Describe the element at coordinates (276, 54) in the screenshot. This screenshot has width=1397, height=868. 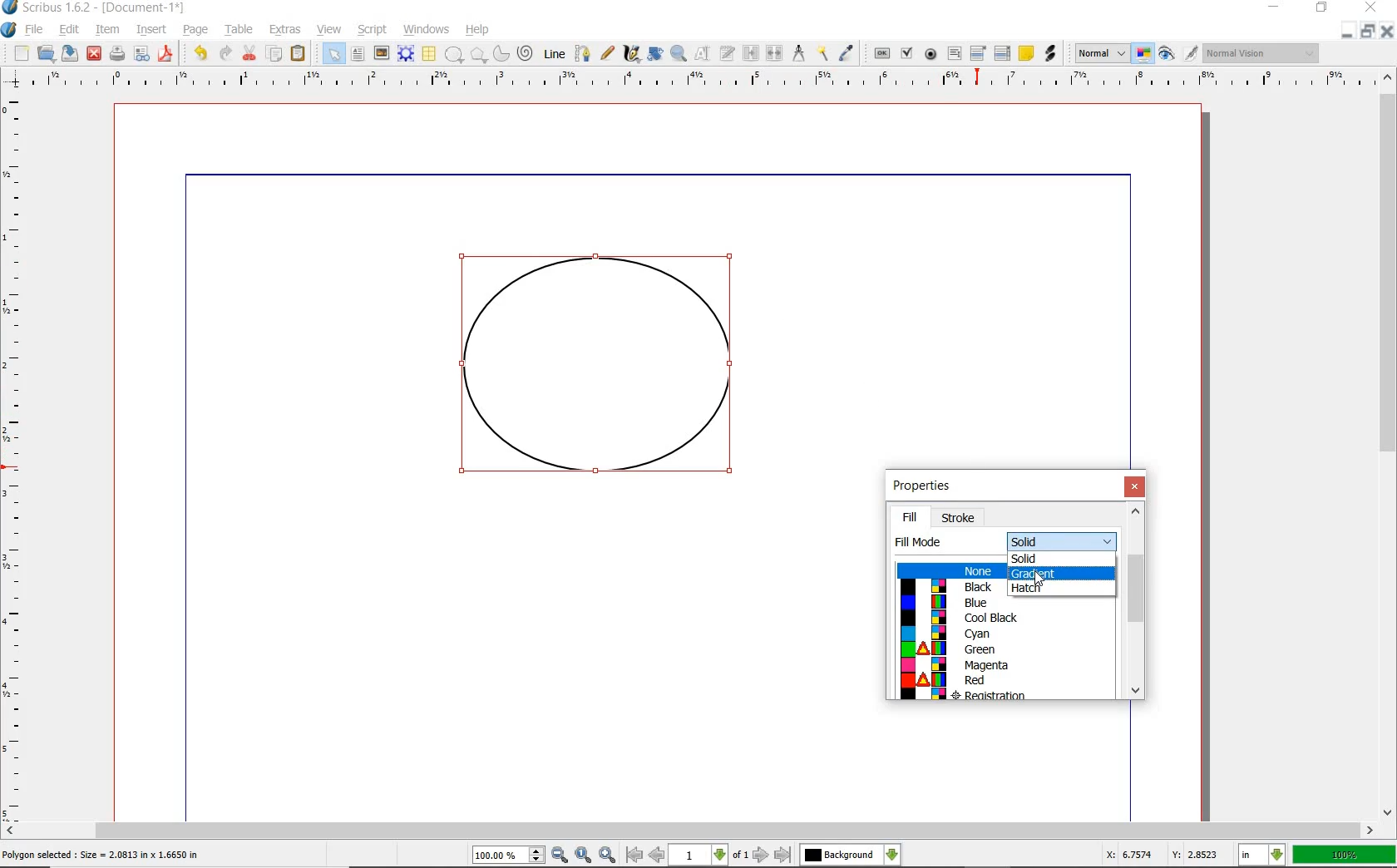
I see `COPY` at that location.